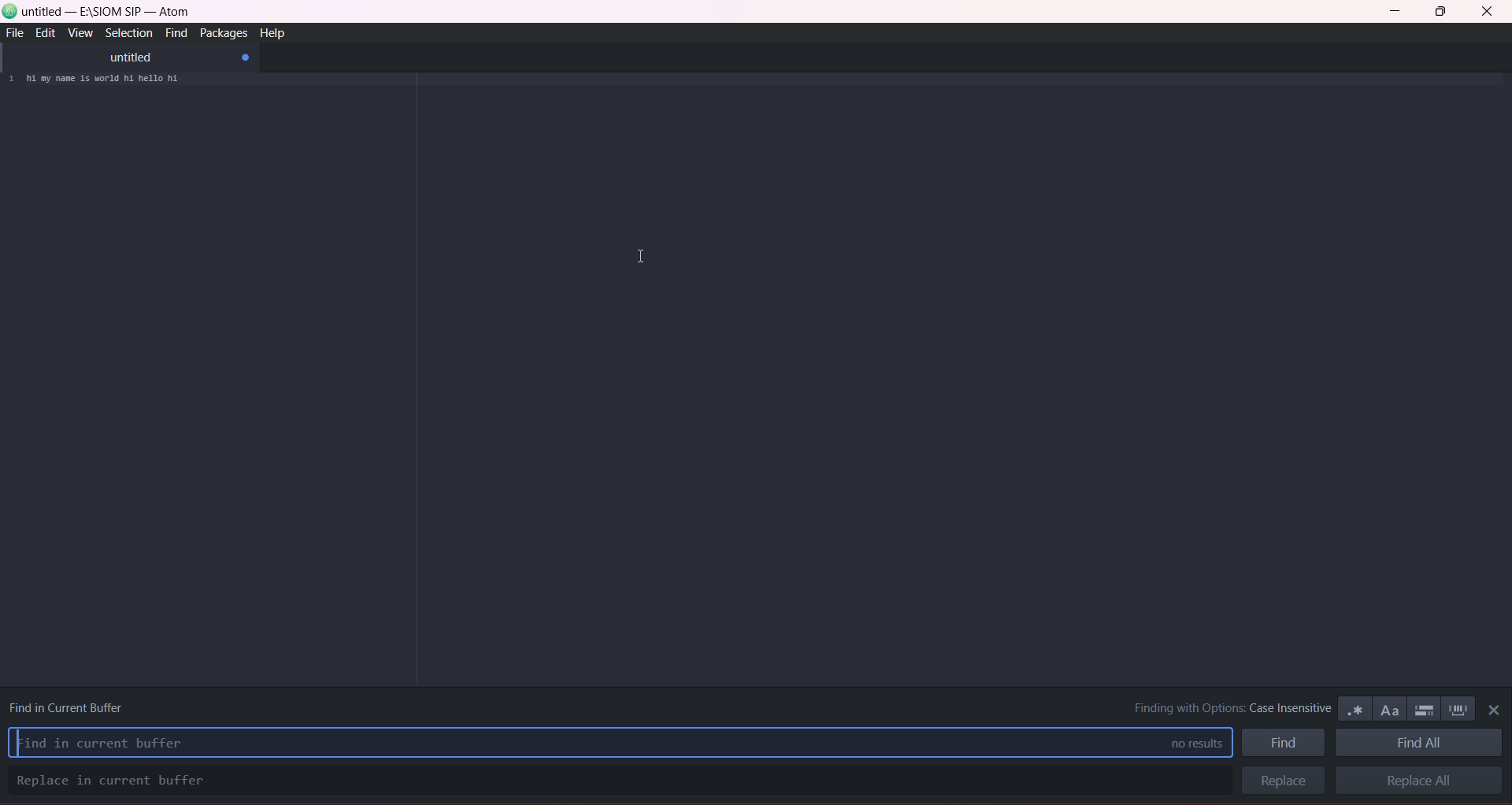 This screenshot has height=805, width=1512. Describe the element at coordinates (1421, 743) in the screenshot. I see `find all` at that location.